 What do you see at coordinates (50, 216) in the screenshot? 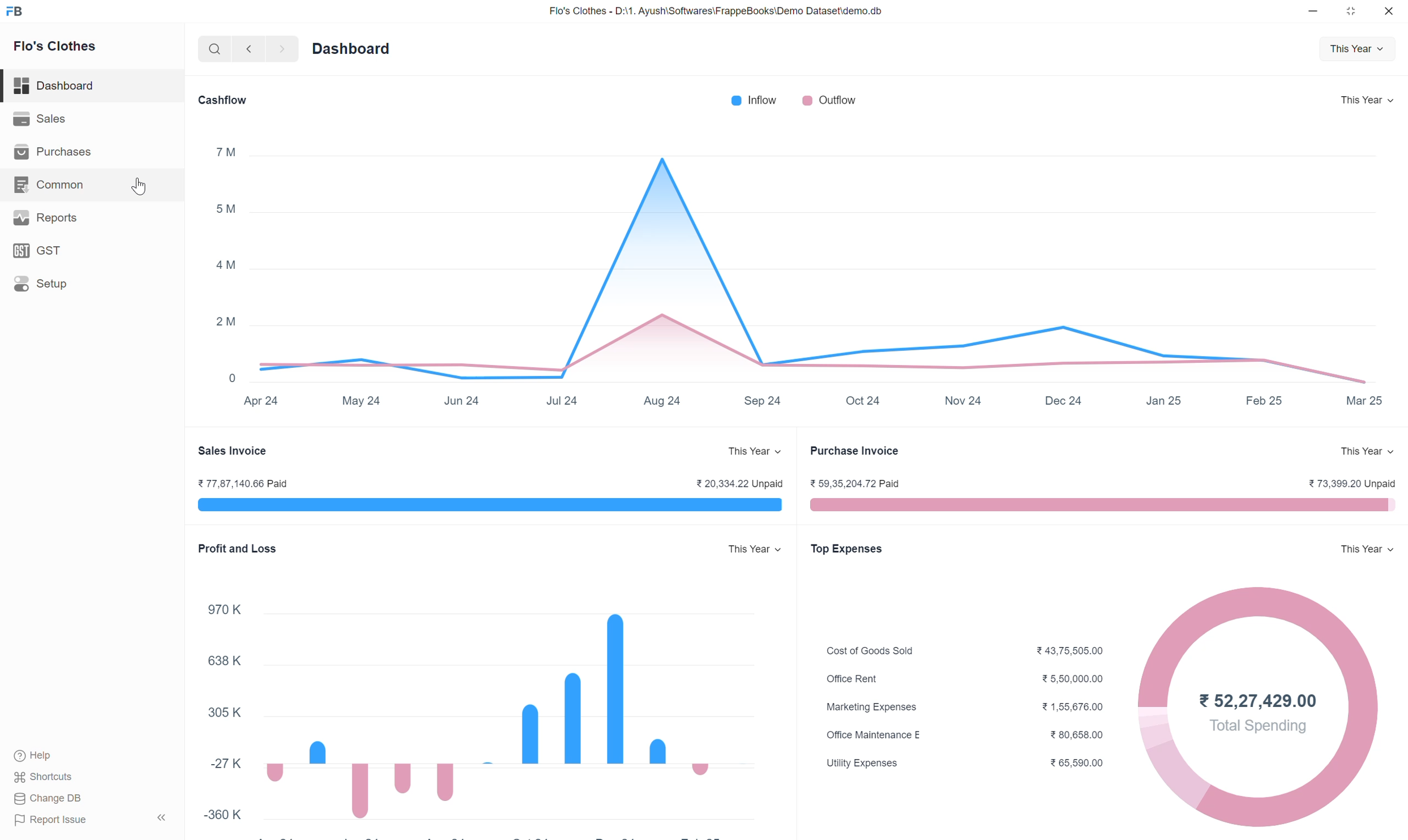
I see `Reports` at bounding box center [50, 216].